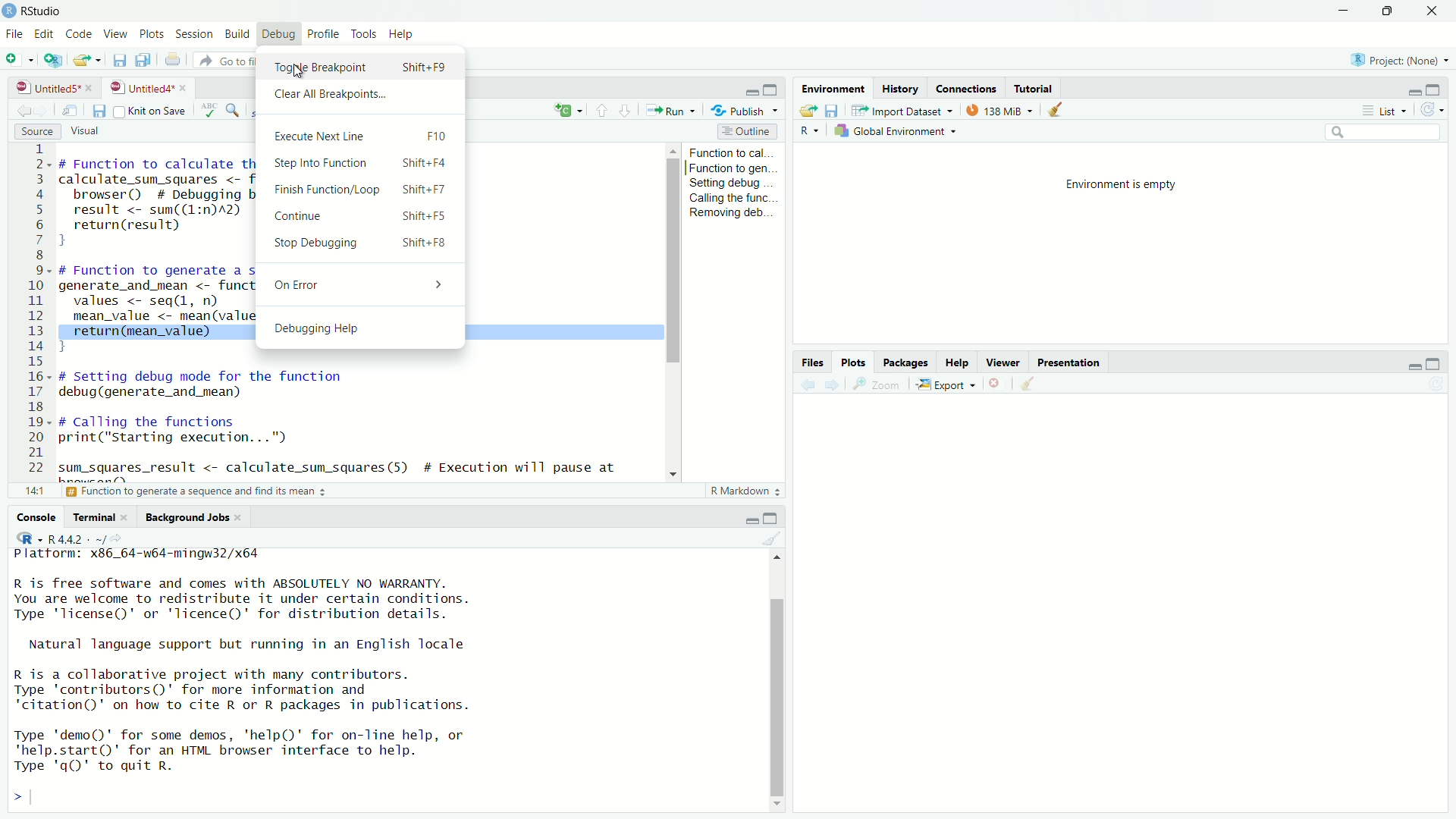 The image size is (1456, 819). What do you see at coordinates (599, 109) in the screenshot?
I see `go to previous section/chunk` at bounding box center [599, 109].